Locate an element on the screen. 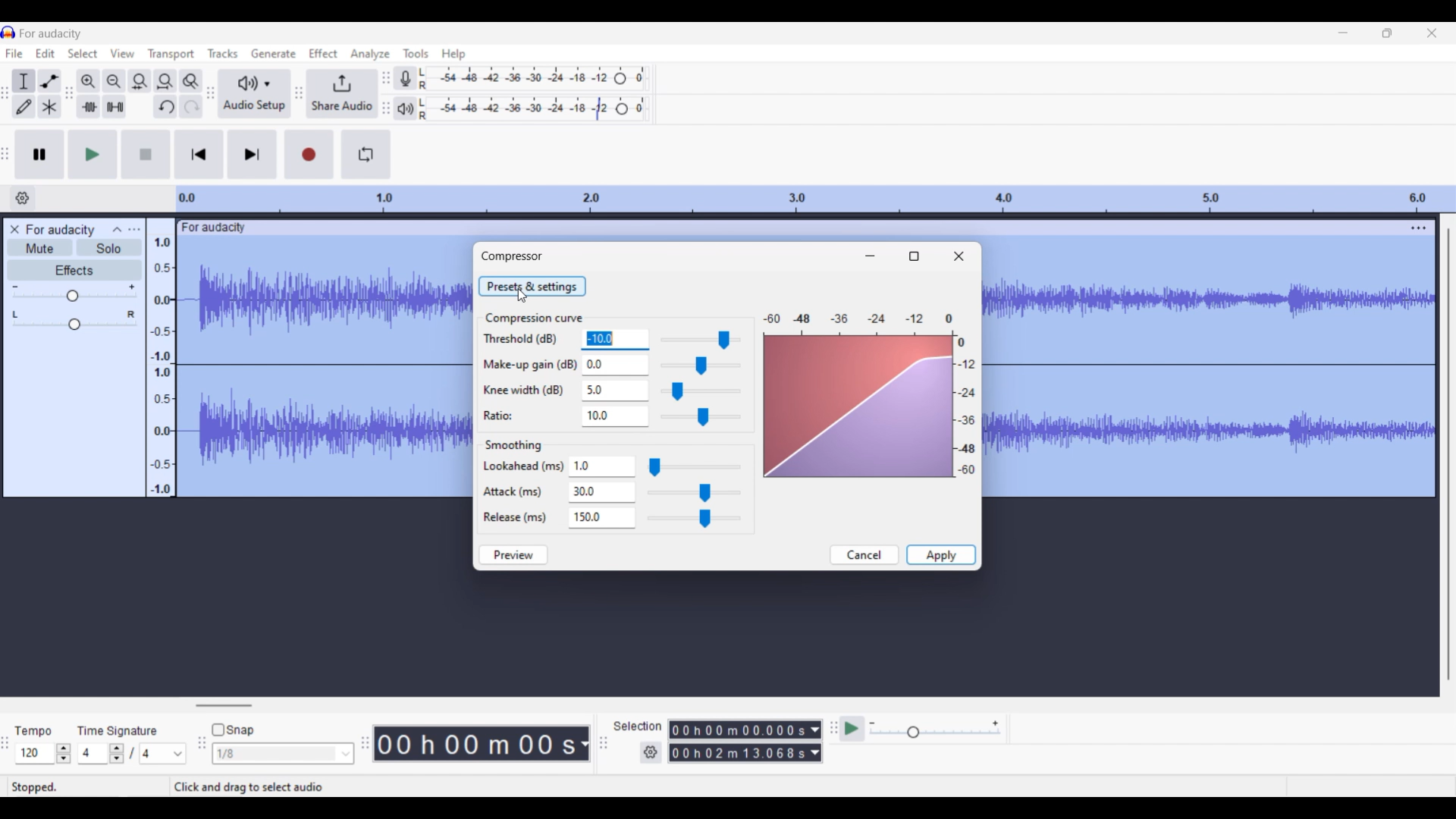  Lookahead slider is located at coordinates (694, 467).